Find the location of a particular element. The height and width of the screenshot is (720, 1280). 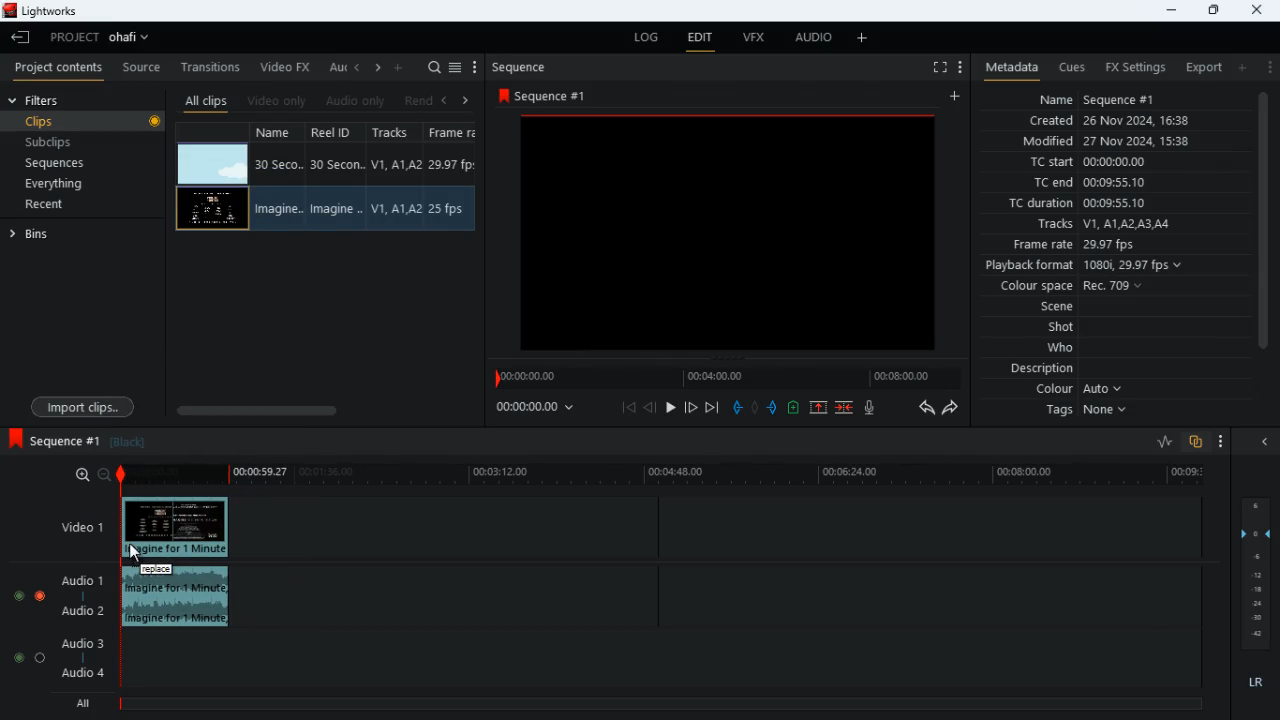

close is located at coordinates (1262, 441).